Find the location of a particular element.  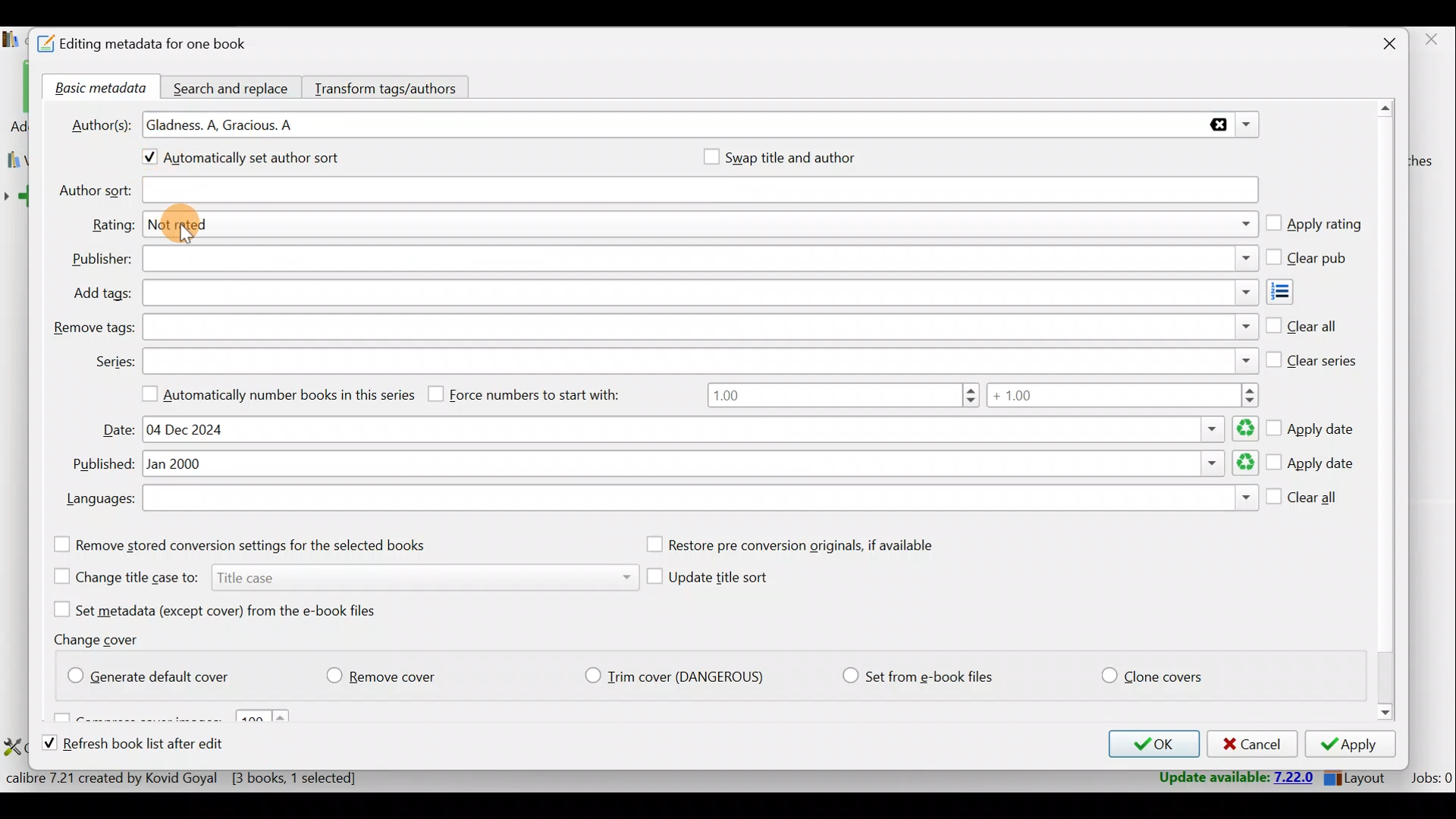

Add tags is located at coordinates (698, 293).